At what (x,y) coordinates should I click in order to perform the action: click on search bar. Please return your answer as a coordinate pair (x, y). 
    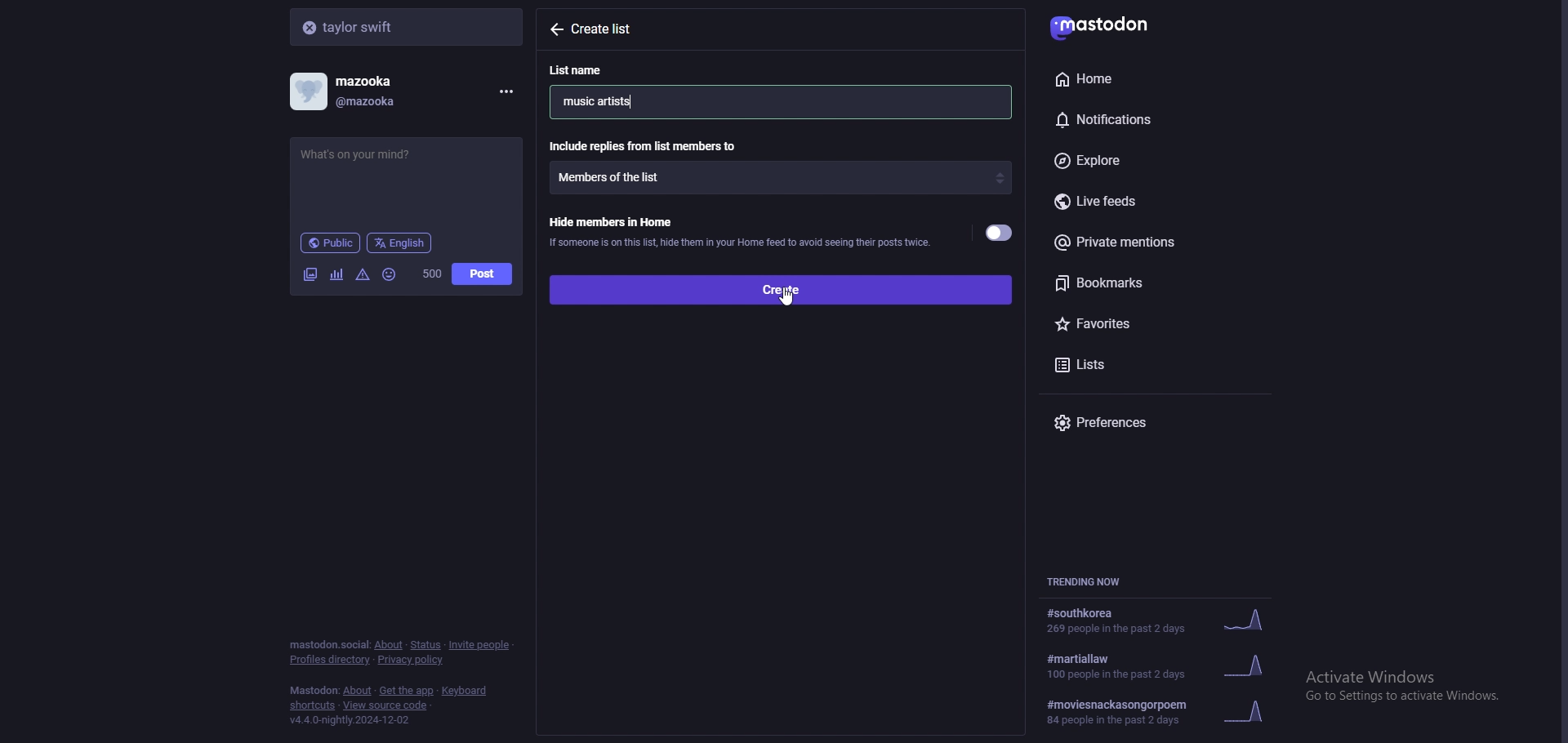
    Looking at the image, I should click on (408, 26).